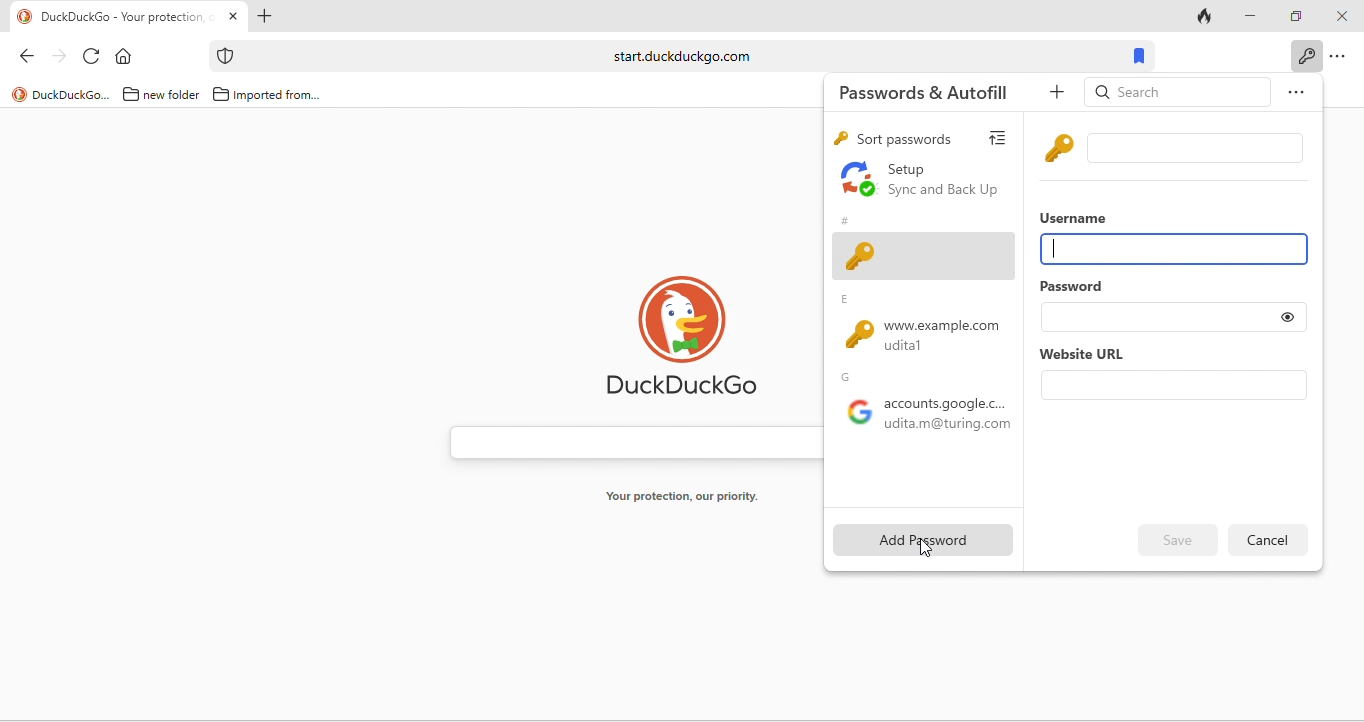 The height and width of the screenshot is (722, 1364). What do you see at coordinates (1305, 54) in the screenshot?
I see `key icon to show passwords and auto fills when clicked` at bounding box center [1305, 54].